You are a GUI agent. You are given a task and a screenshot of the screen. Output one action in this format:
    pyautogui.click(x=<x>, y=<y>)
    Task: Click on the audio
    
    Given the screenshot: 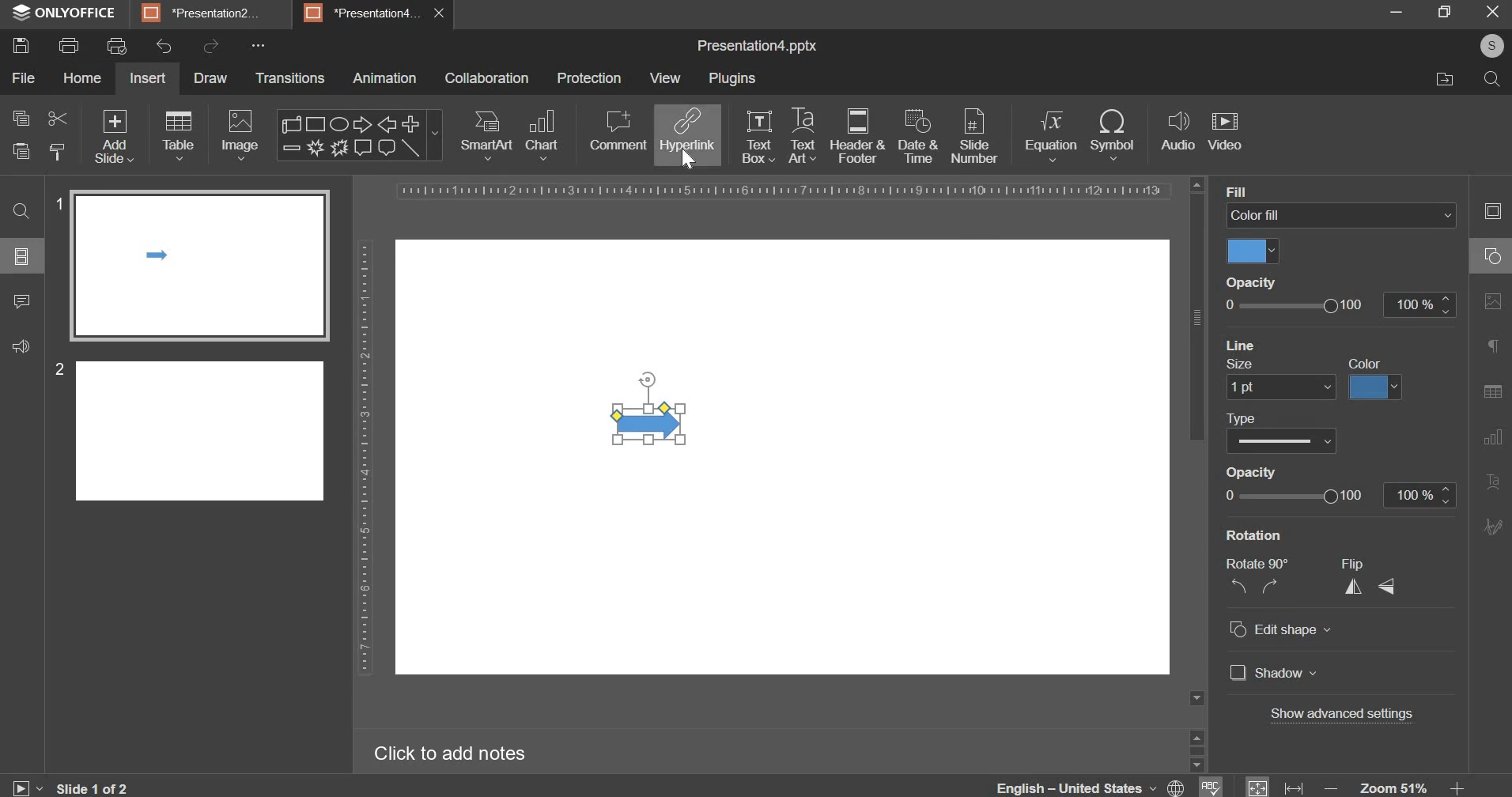 What is the action you would take?
    pyautogui.click(x=1177, y=132)
    